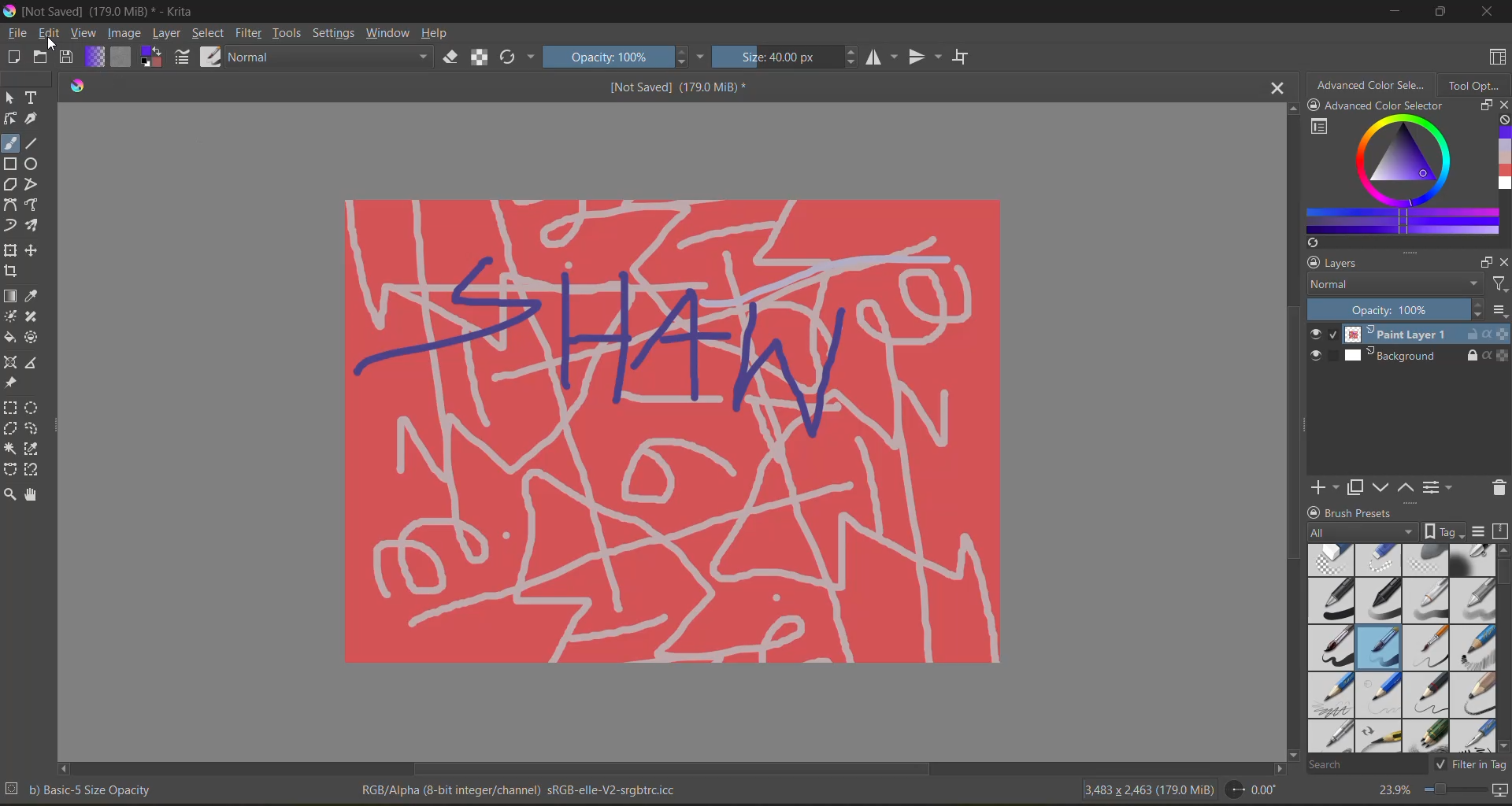 The width and height of the screenshot is (1512, 806). What do you see at coordinates (287, 33) in the screenshot?
I see `tools` at bounding box center [287, 33].